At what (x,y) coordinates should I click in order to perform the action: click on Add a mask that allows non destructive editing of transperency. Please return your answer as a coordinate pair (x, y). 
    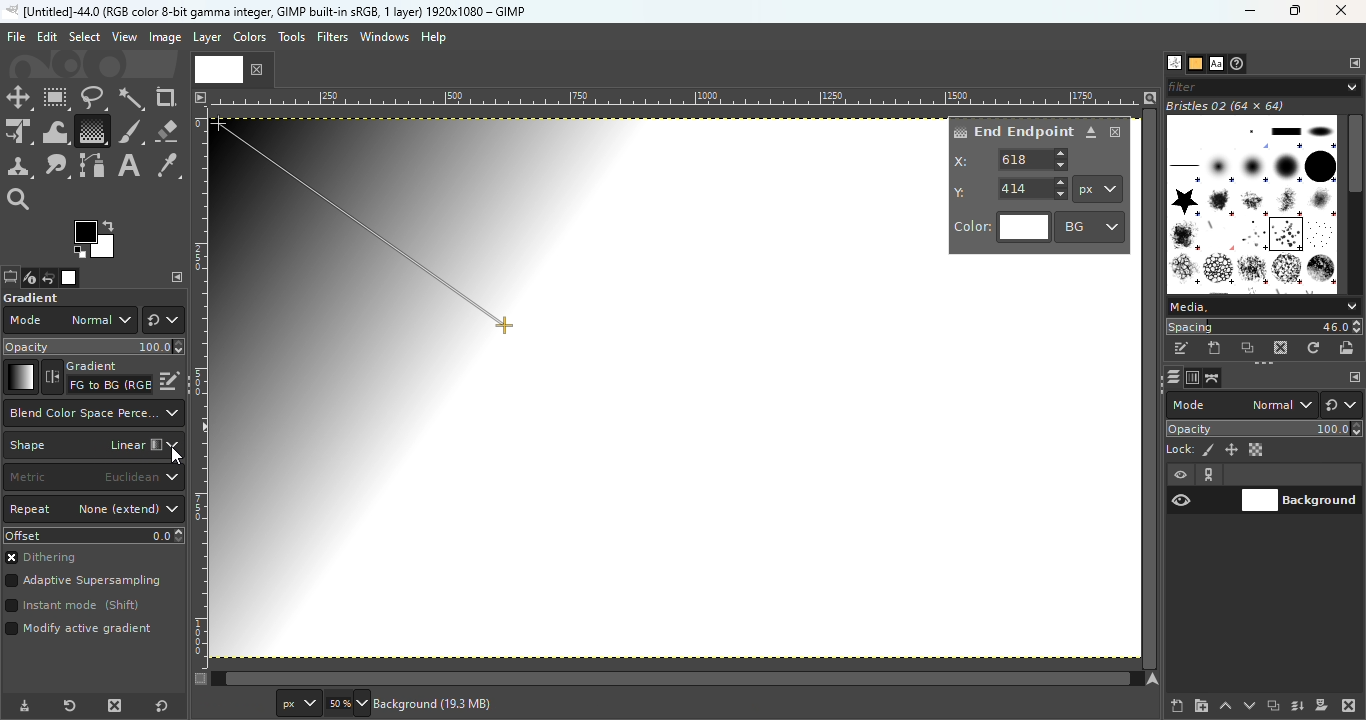
    Looking at the image, I should click on (1322, 705).